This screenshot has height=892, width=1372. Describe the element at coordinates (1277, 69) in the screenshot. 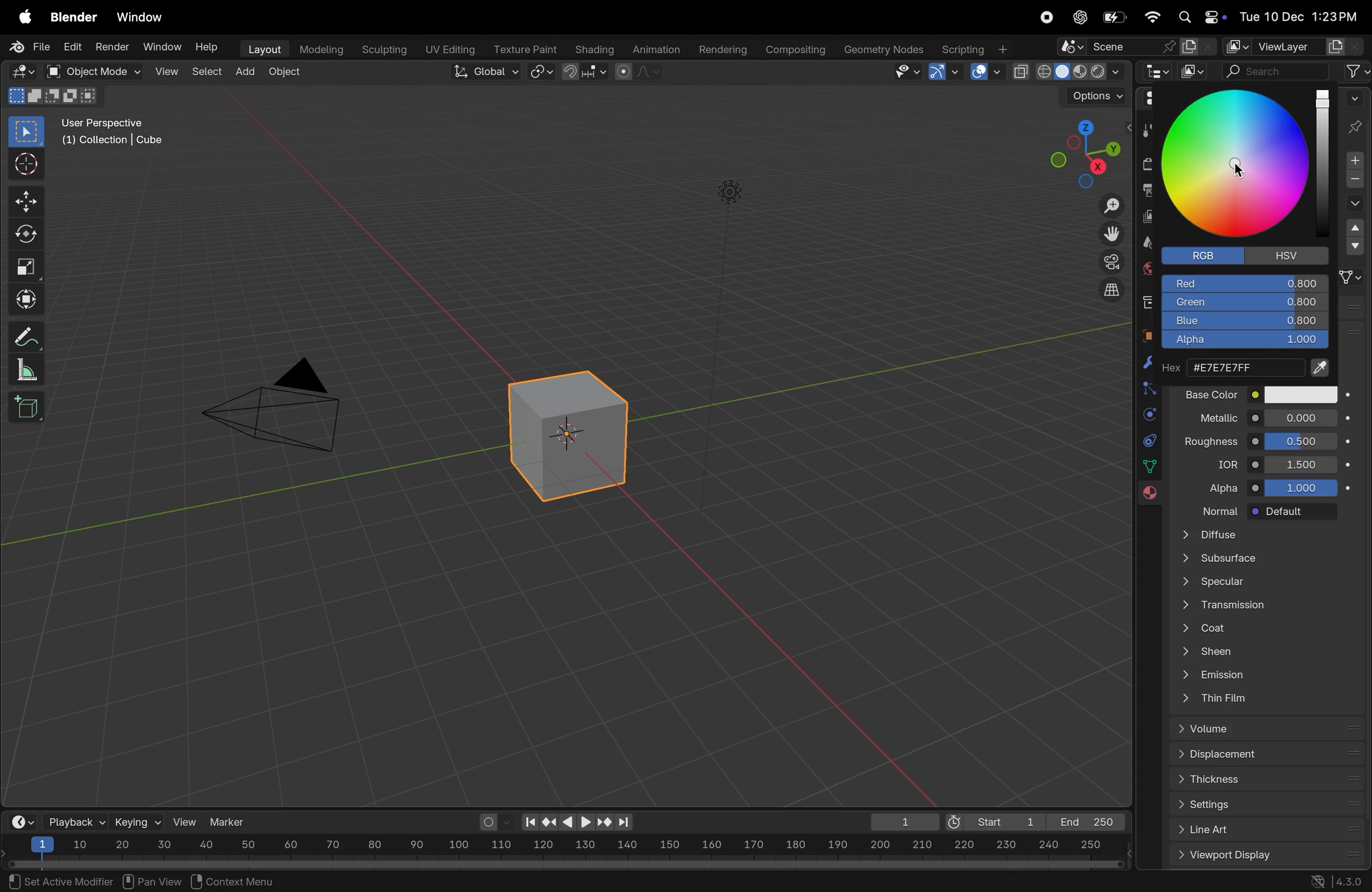

I see `search` at that location.